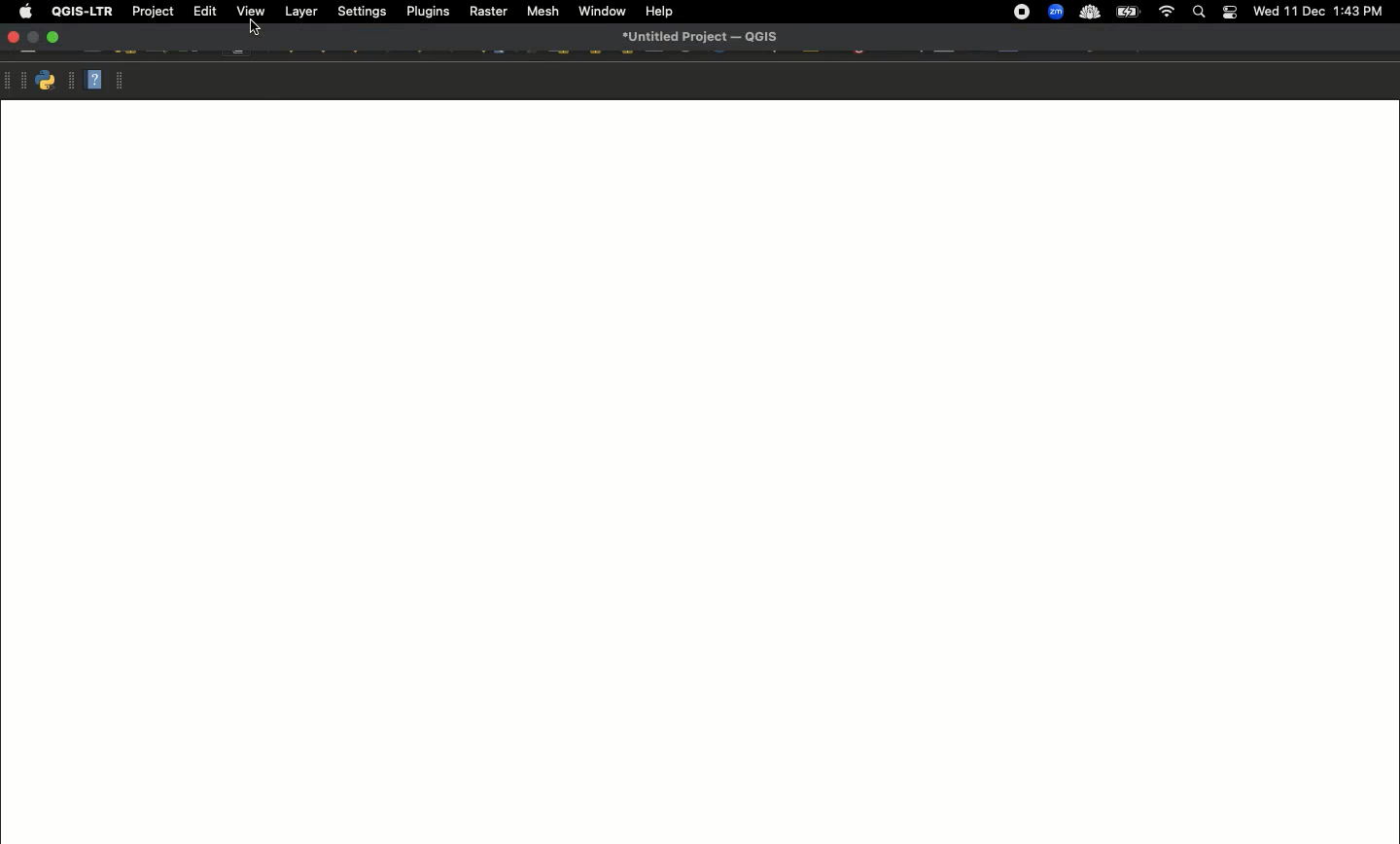  What do you see at coordinates (302, 12) in the screenshot?
I see `Layer` at bounding box center [302, 12].